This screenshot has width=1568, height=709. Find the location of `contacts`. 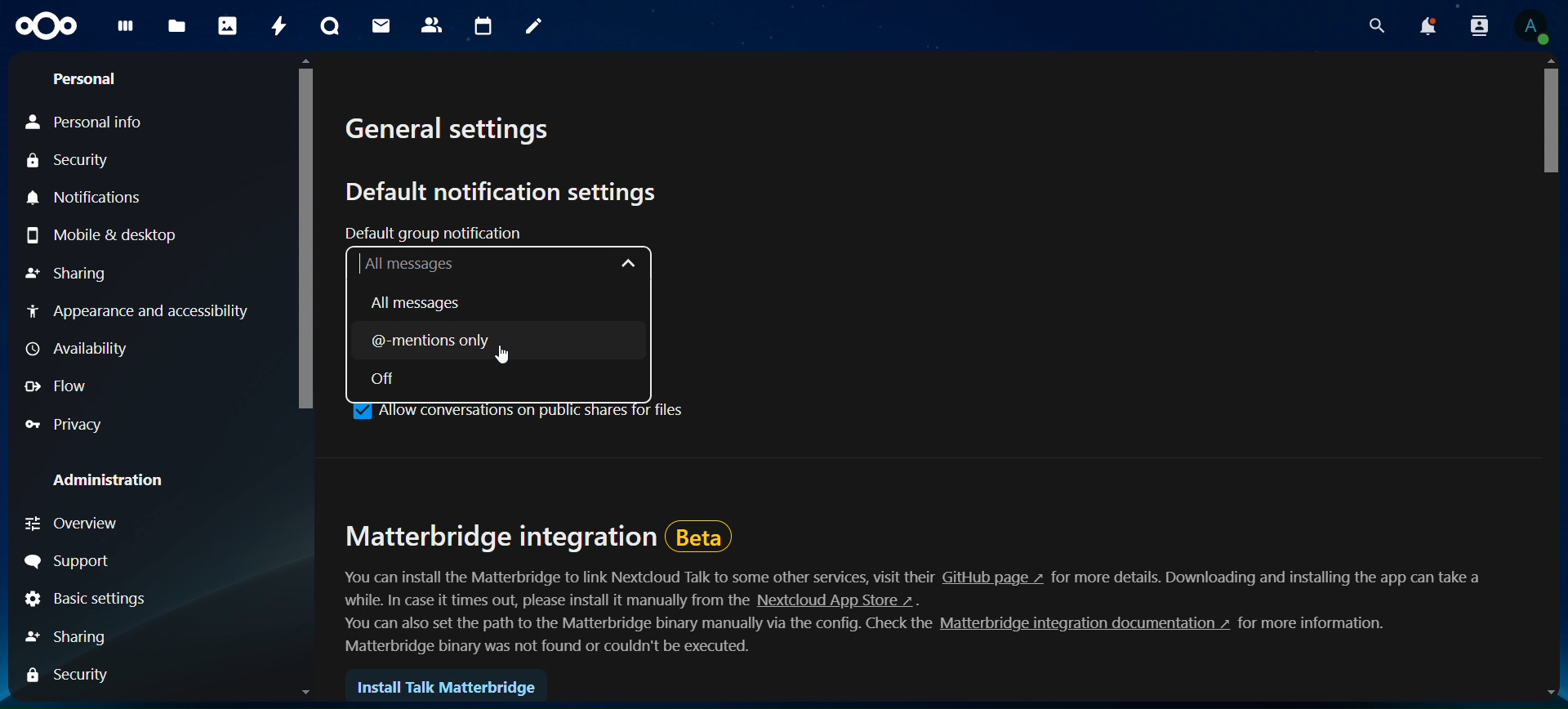

contacts is located at coordinates (432, 26).